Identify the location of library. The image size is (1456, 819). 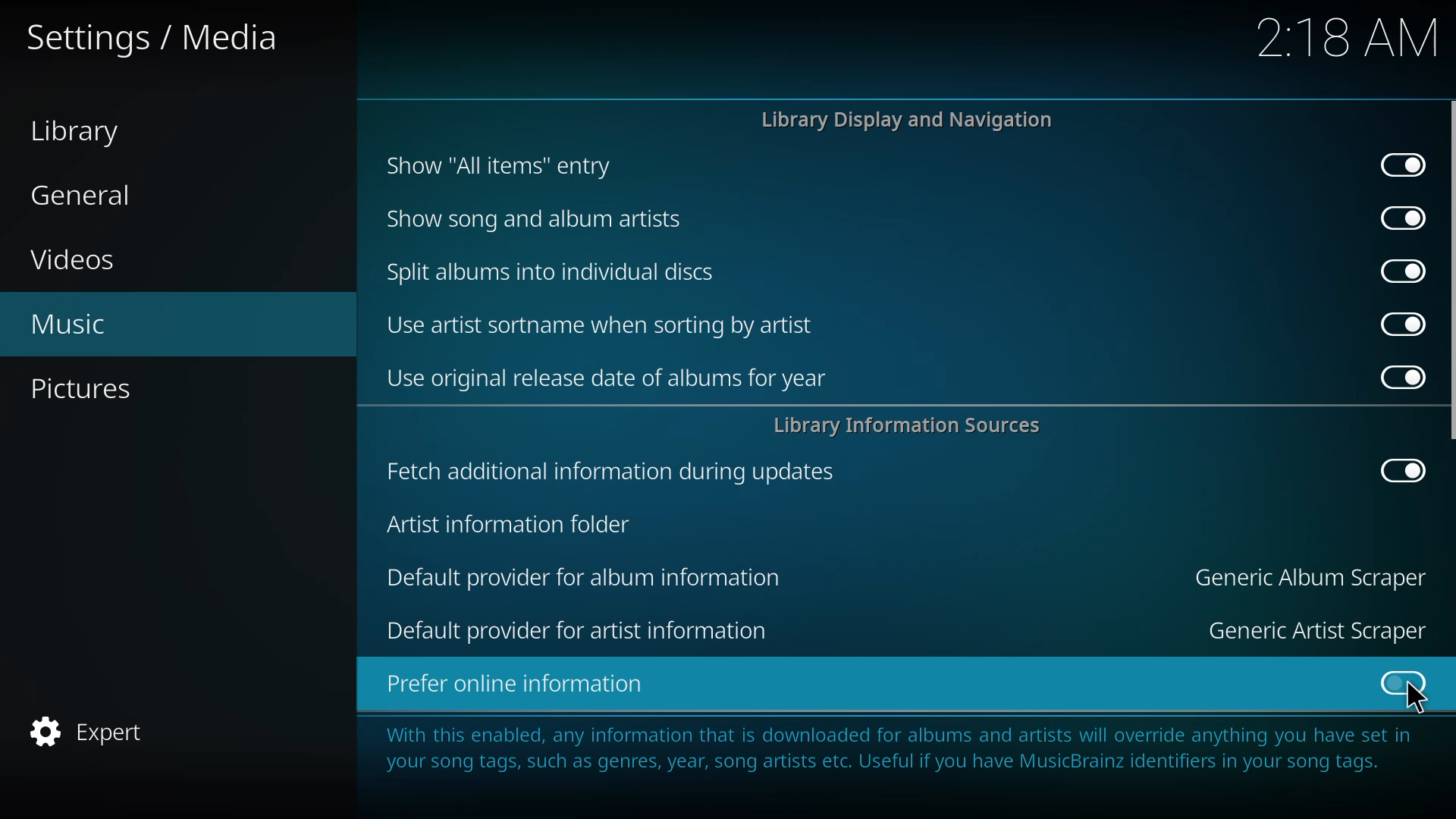
(83, 132).